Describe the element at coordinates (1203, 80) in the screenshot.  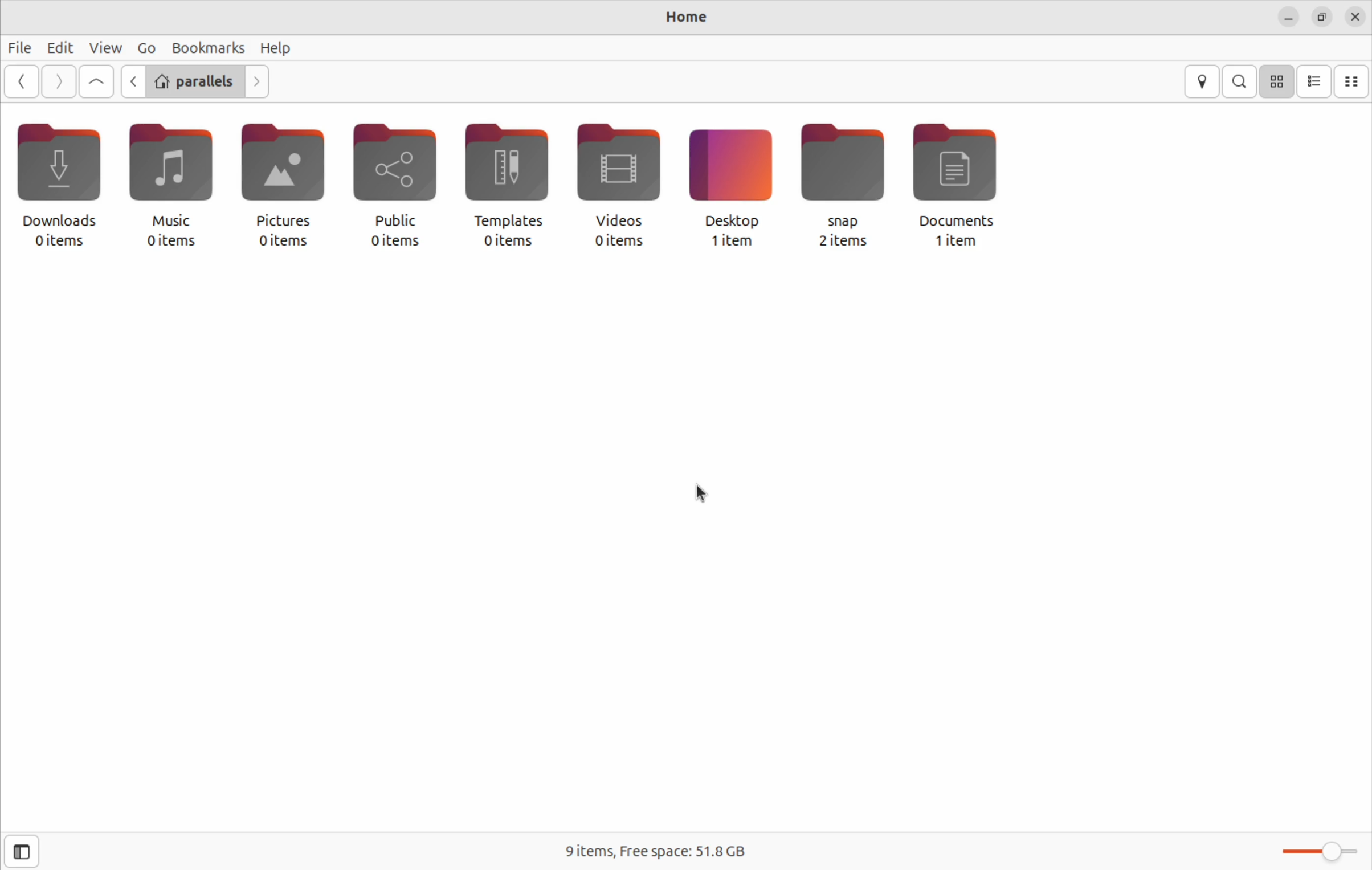
I see `loaction` at that location.